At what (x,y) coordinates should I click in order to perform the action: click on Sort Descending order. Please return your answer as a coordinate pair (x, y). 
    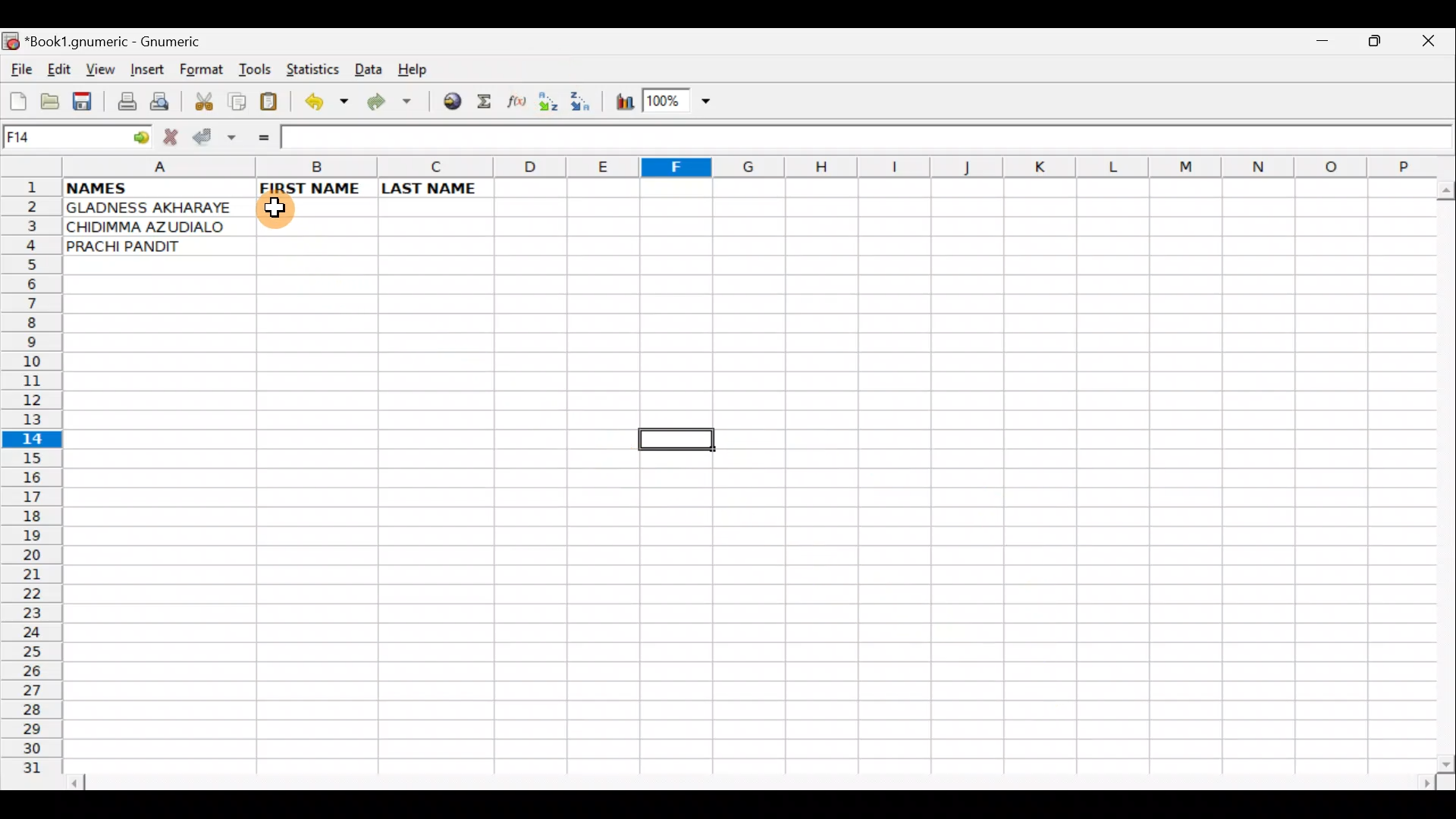
    Looking at the image, I should click on (583, 105).